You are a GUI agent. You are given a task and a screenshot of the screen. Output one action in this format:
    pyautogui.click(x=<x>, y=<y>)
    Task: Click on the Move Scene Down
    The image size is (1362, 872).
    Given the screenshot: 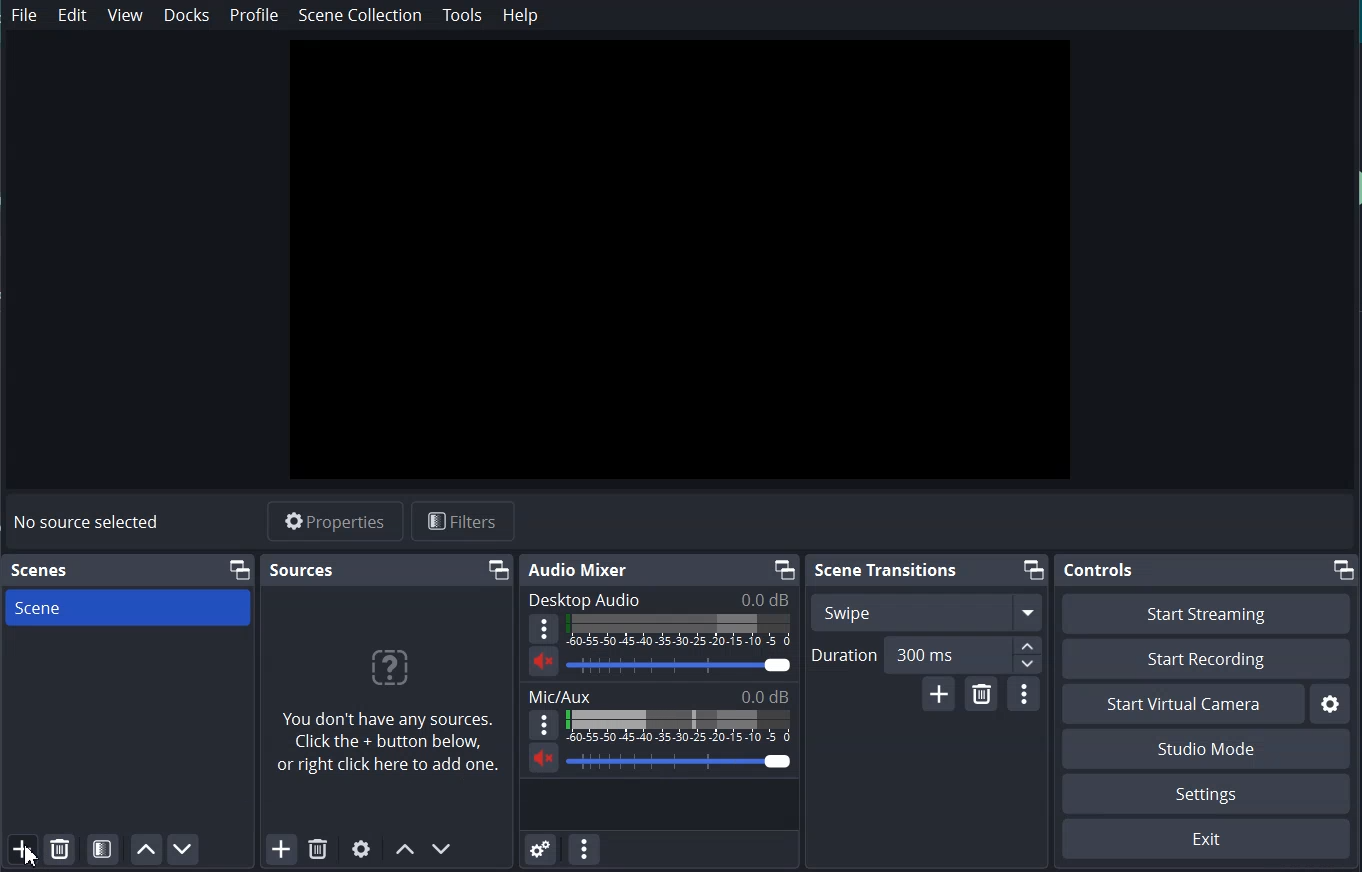 What is the action you would take?
    pyautogui.click(x=183, y=849)
    